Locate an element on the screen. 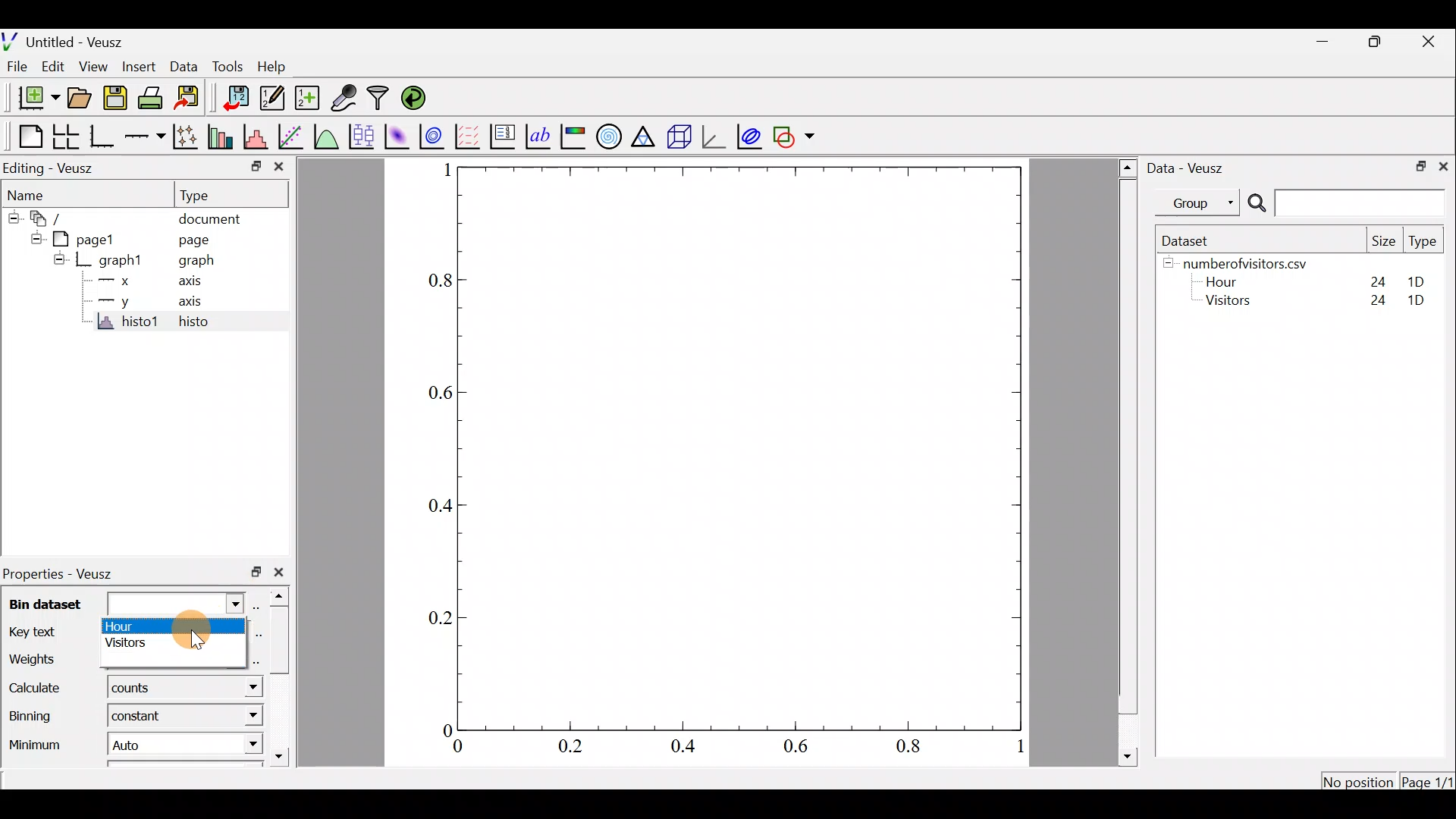 This screenshot has width=1456, height=819. new document is located at coordinates (35, 99).